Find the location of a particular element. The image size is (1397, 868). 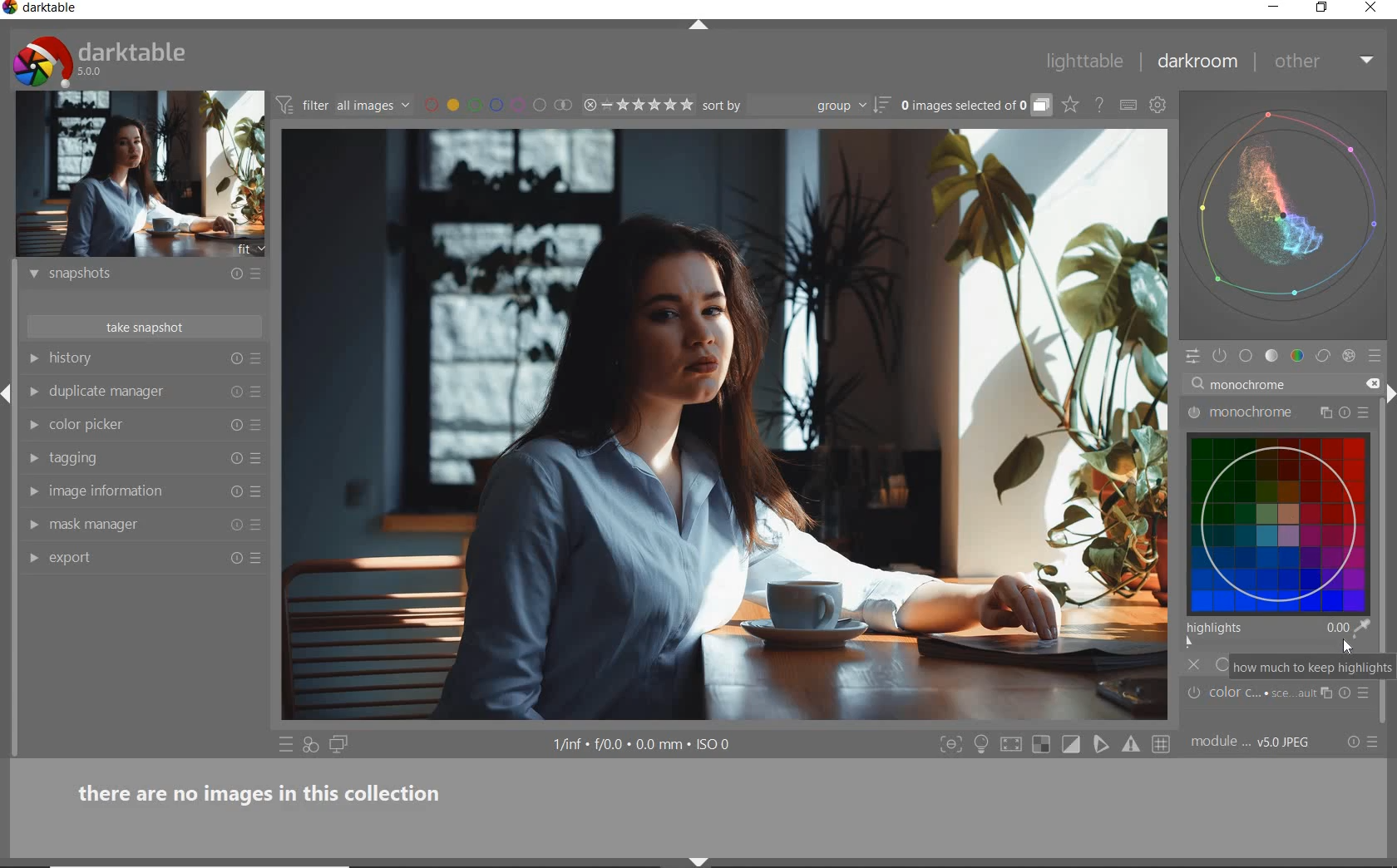

reset is located at coordinates (1345, 412).